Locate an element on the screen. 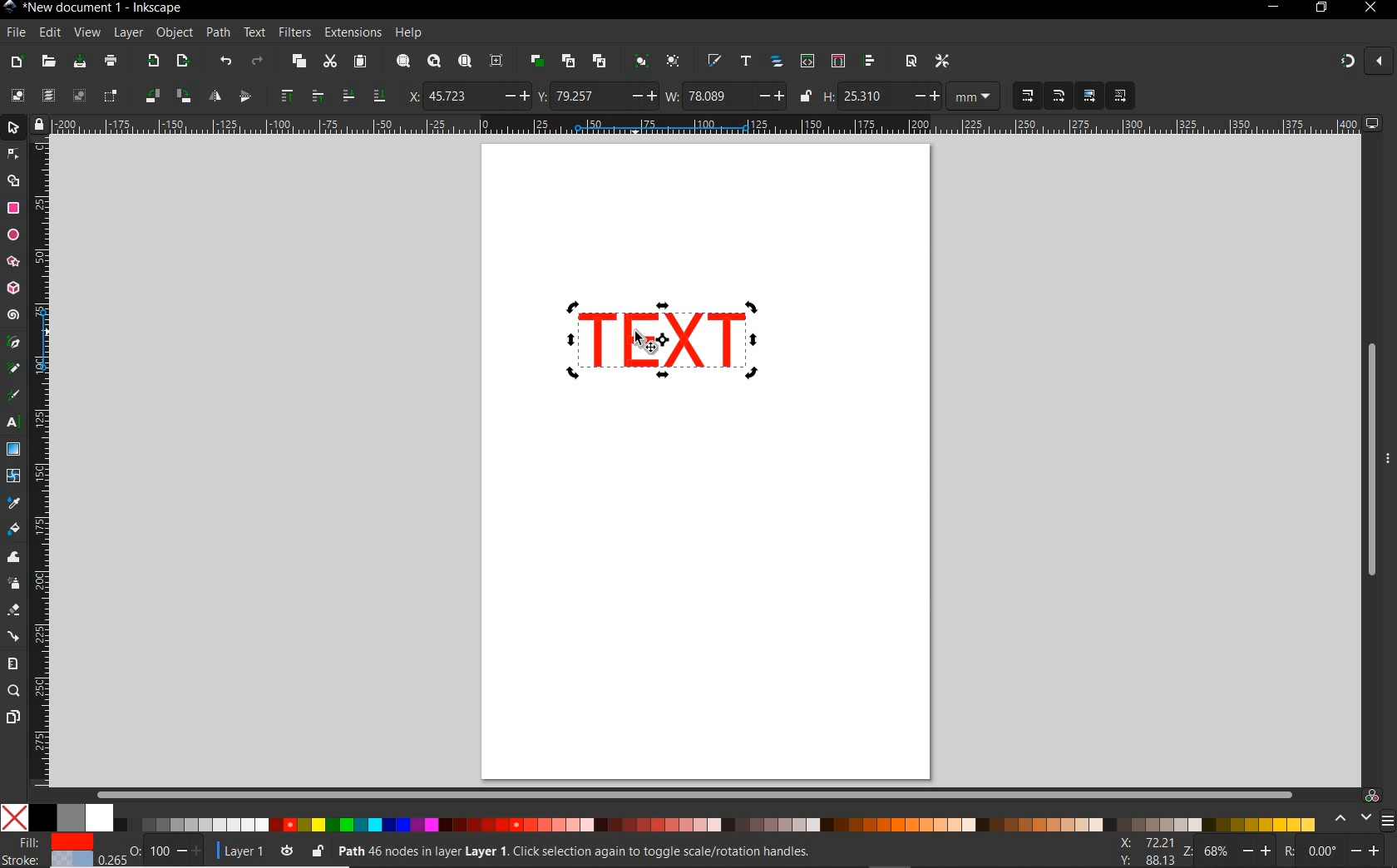 The height and width of the screenshot is (868, 1397). Fill color is located at coordinates (14, 560).